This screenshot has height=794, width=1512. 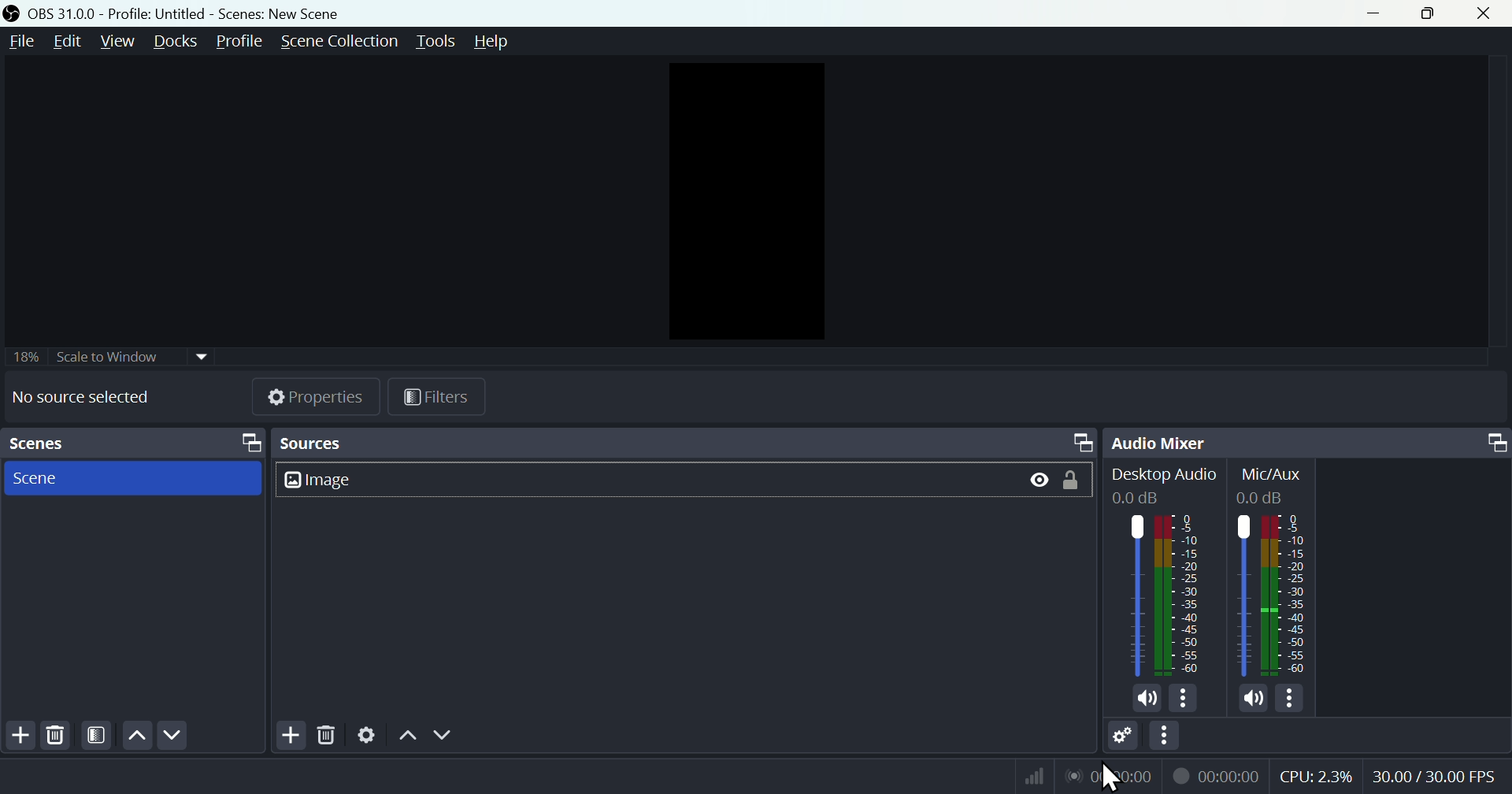 I want to click on Profile, so click(x=240, y=43).